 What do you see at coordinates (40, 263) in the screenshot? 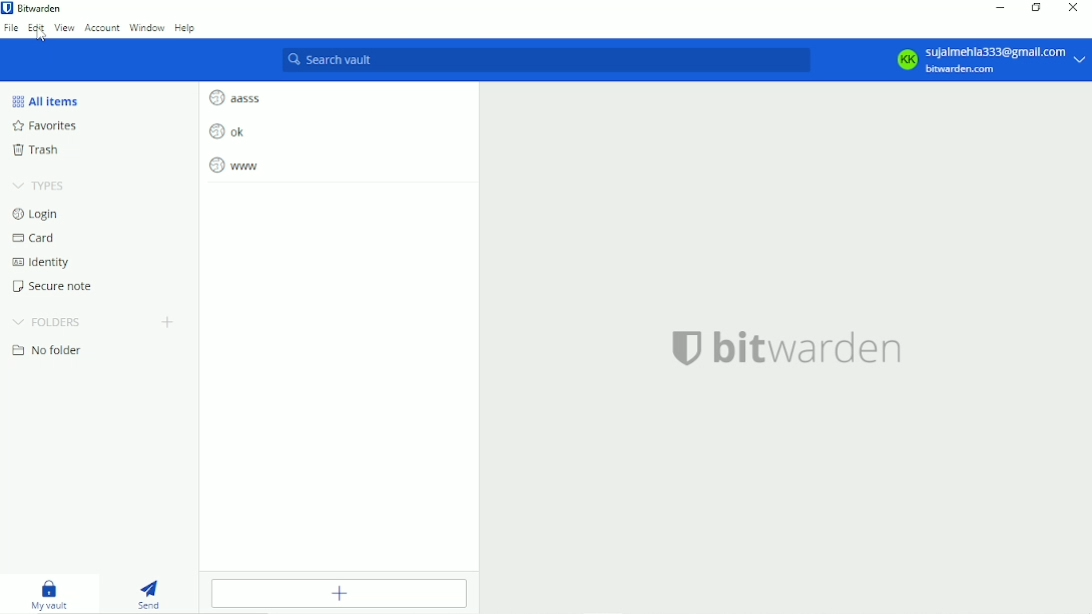
I see `Identity` at bounding box center [40, 263].